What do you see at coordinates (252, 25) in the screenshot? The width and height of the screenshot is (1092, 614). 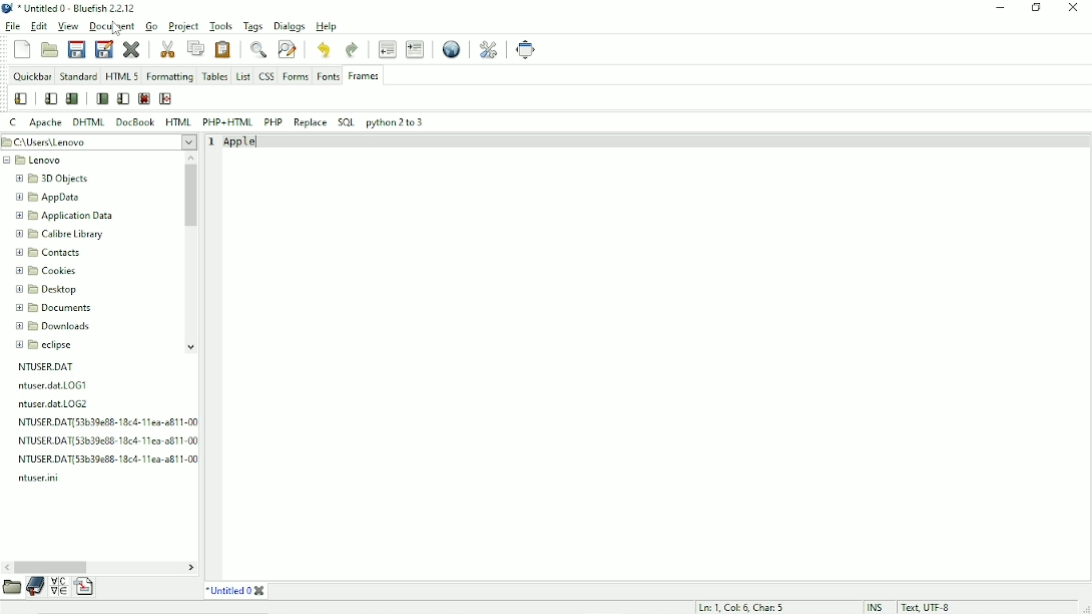 I see `Tags` at bounding box center [252, 25].